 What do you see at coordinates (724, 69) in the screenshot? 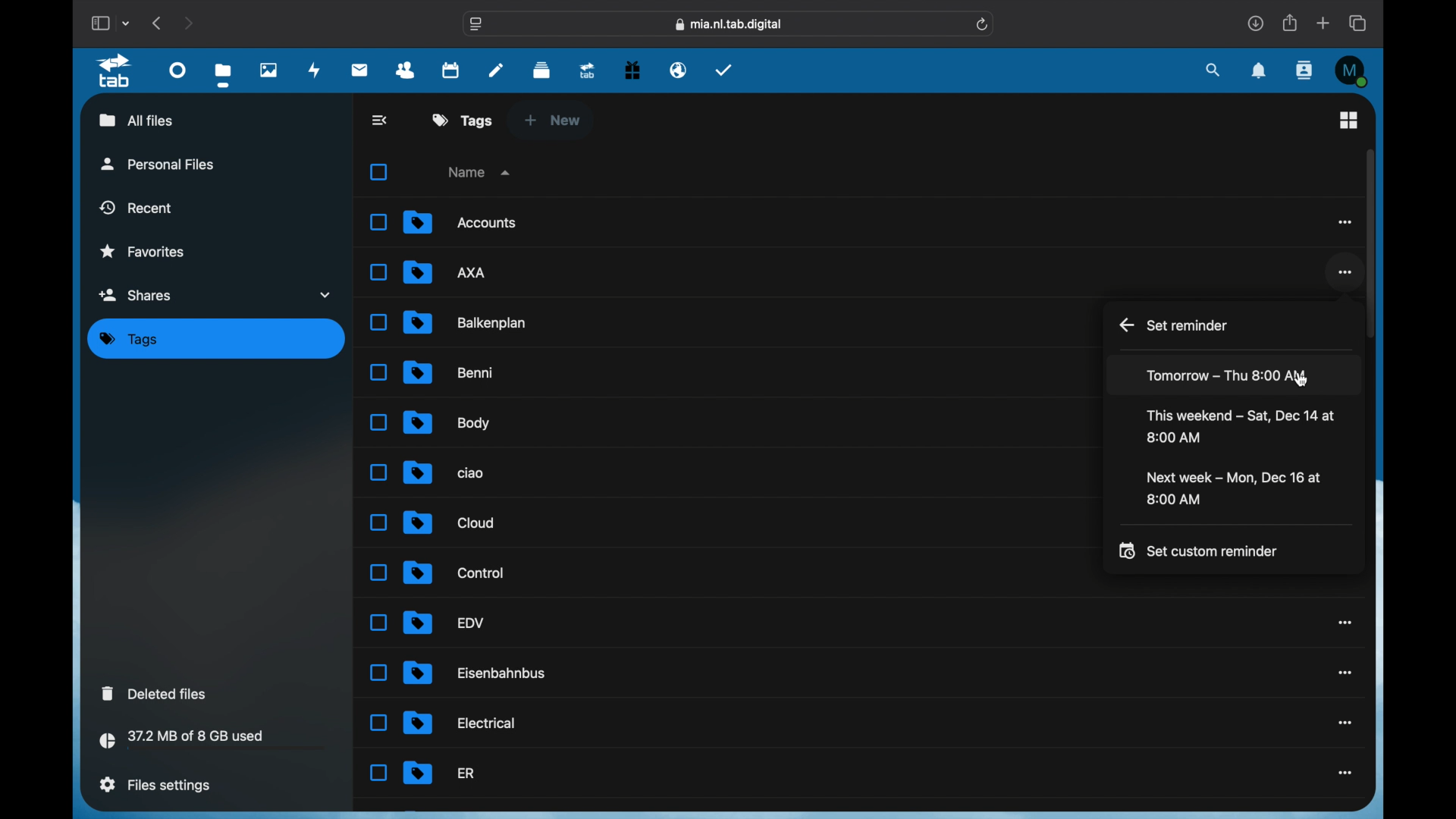
I see `tasks` at bounding box center [724, 69].